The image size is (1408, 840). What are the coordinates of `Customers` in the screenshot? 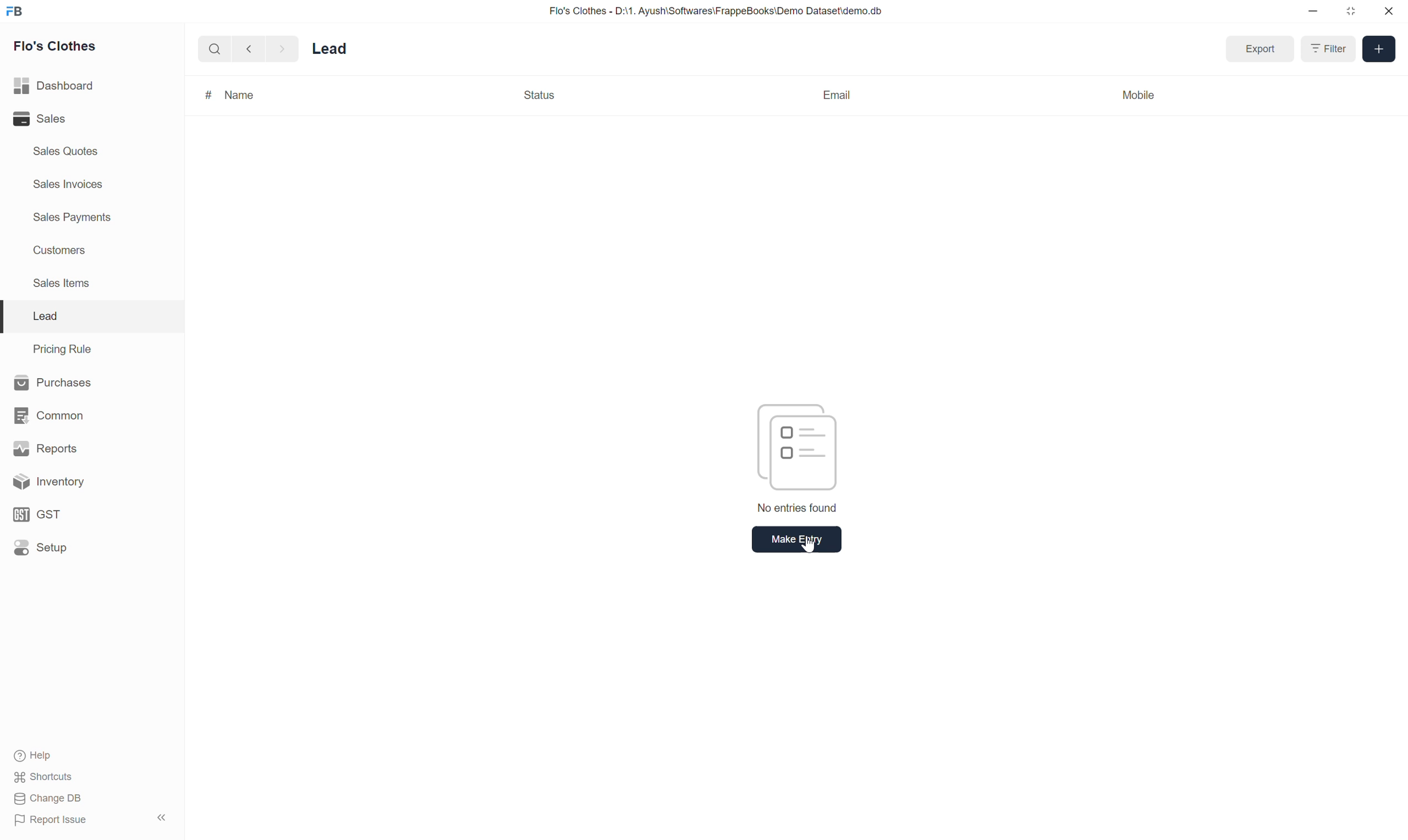 It's located at (66, 251).